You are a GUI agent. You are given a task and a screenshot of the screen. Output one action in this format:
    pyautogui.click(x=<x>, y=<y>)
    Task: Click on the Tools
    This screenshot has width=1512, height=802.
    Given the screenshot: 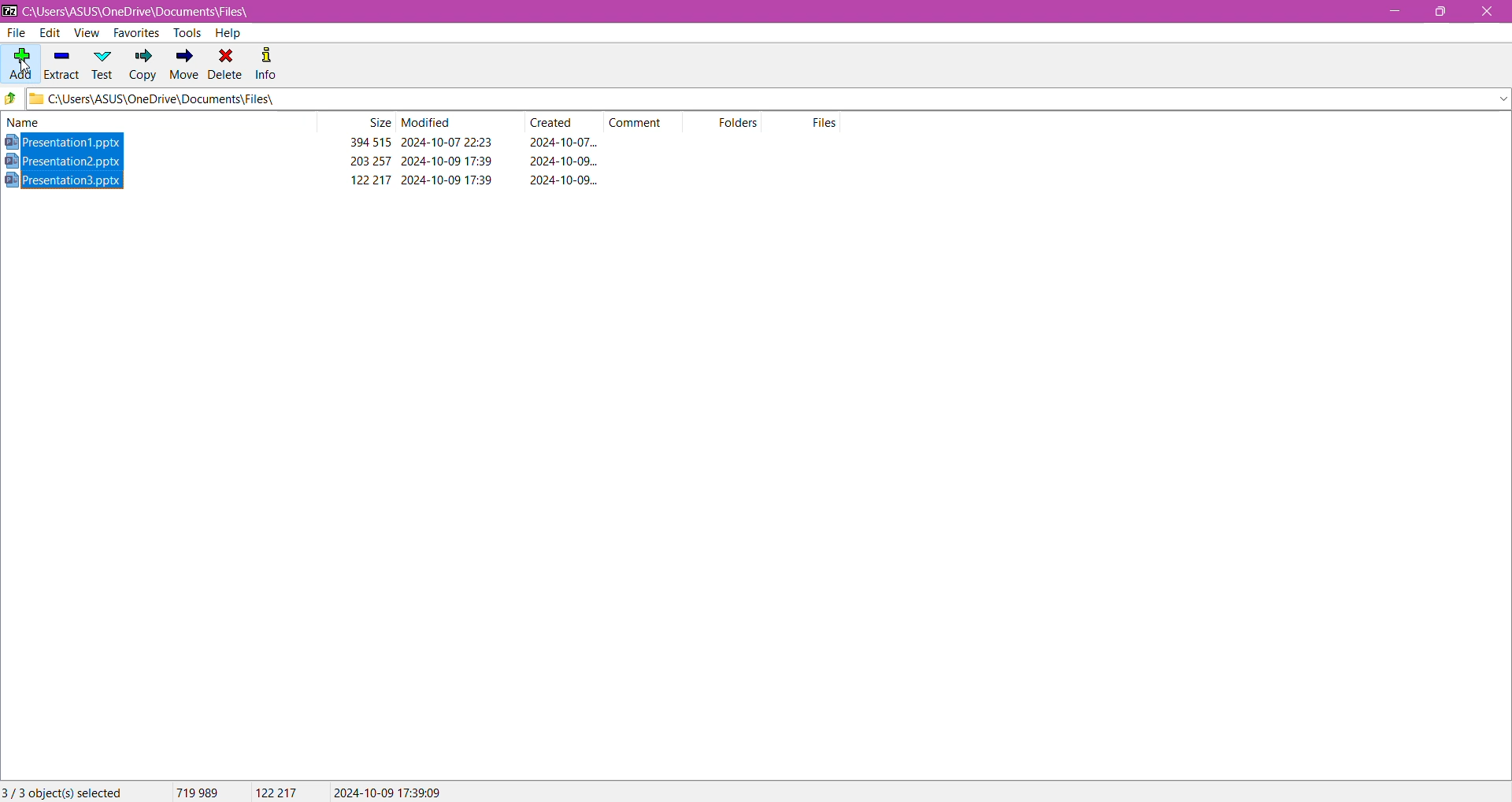 What is the action you would take?
    pyautogui.click(x=185, y=32)
    